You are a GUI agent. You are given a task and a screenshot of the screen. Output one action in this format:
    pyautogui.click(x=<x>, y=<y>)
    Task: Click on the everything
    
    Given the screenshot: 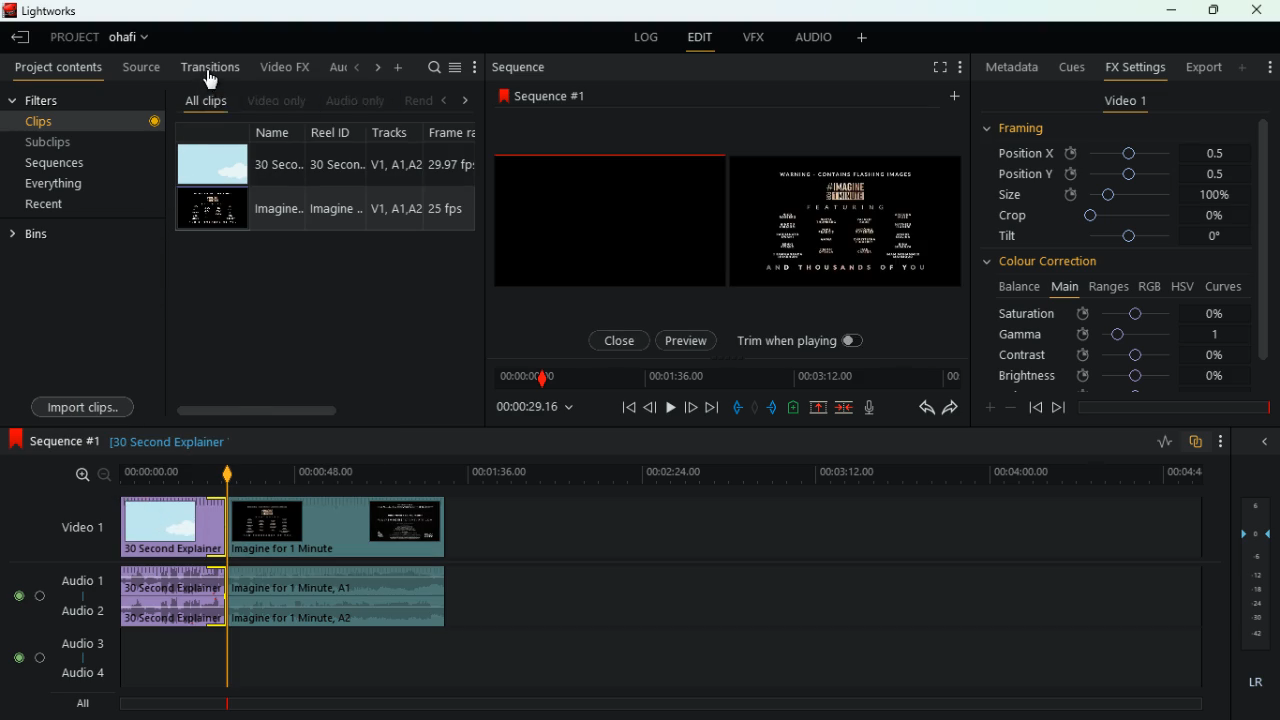 What is the action you would take?
    pyautogui.click(x=71, y=184)
    